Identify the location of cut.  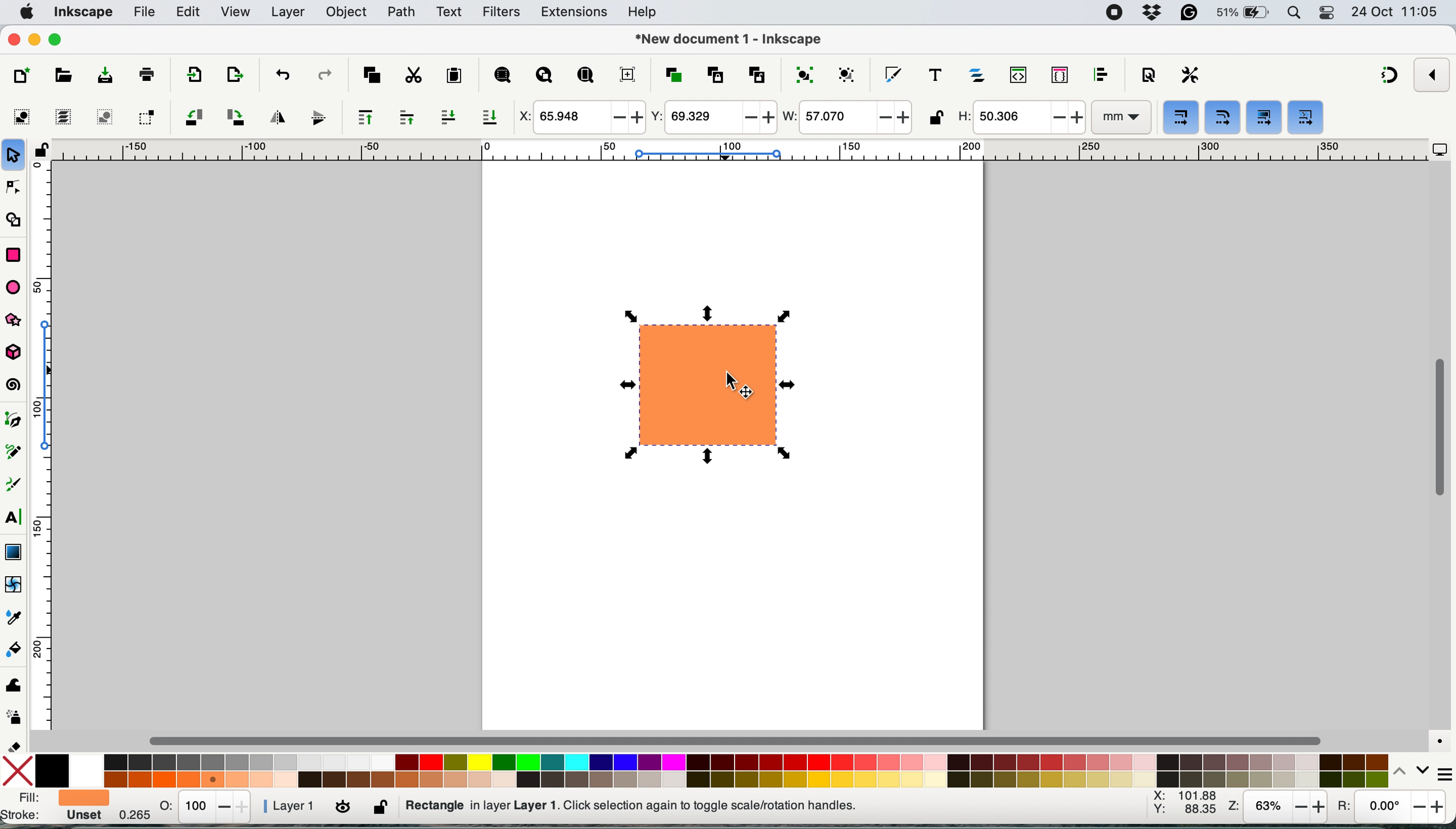
(412, 75).